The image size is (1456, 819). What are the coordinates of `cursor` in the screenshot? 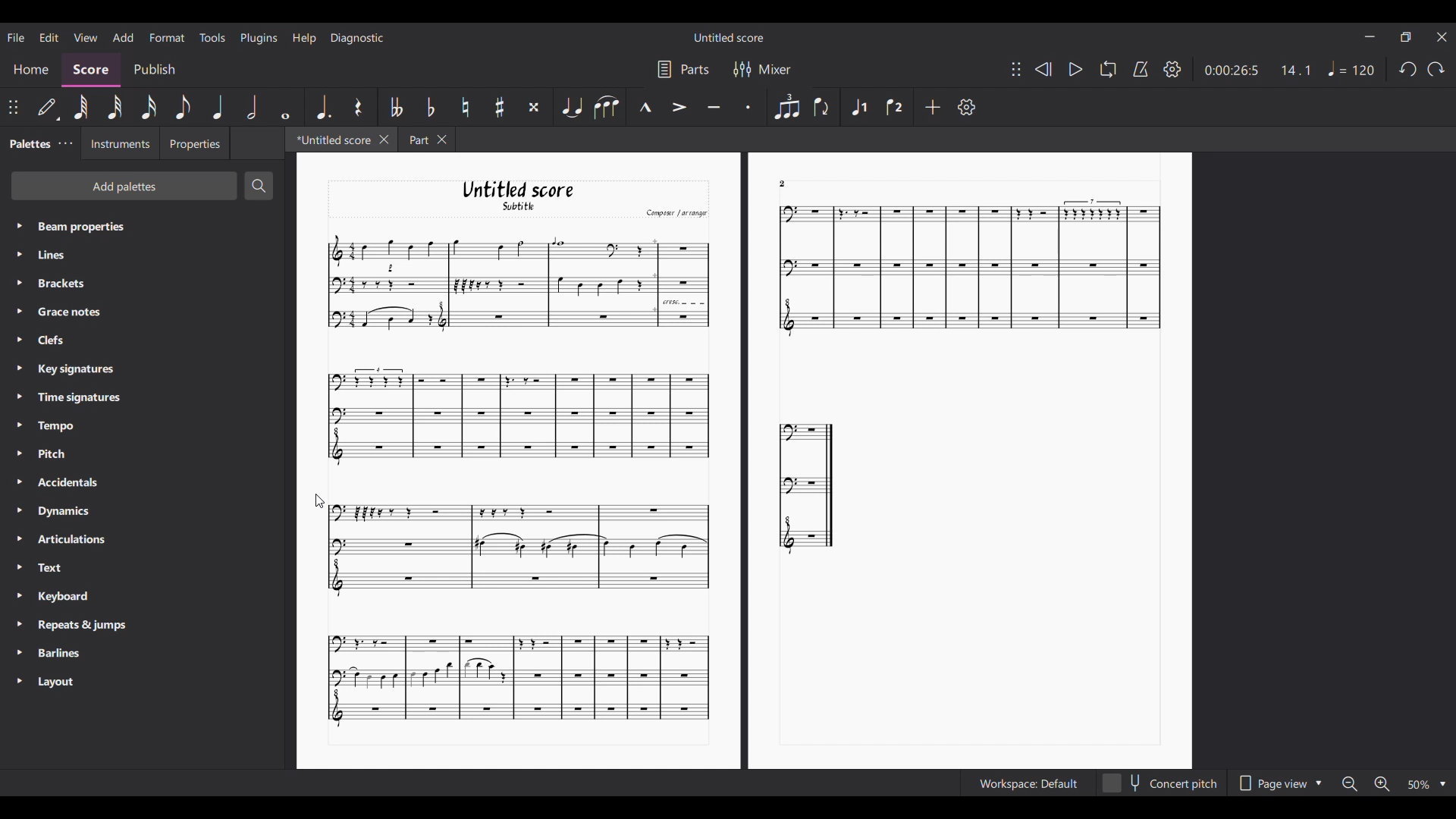 It's located at (322, 500).